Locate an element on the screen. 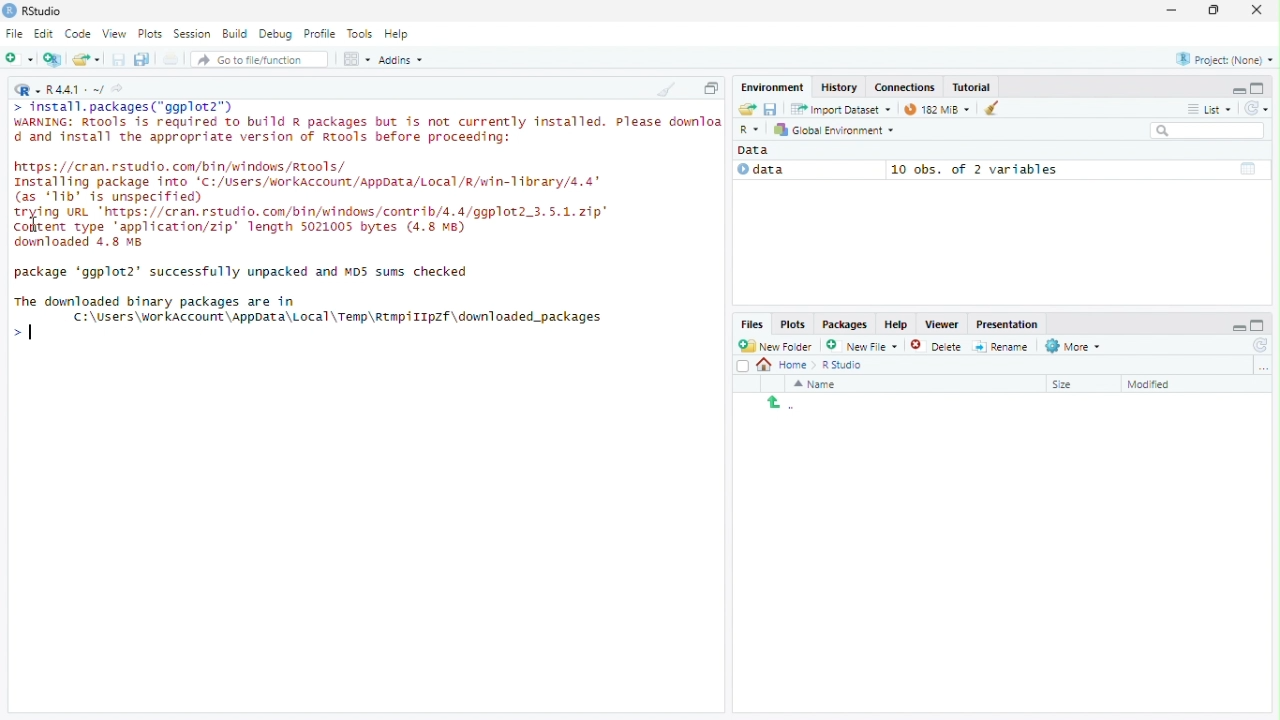 This screenshot has width=1280, height=720. Build is located at coordinates (237, 34).